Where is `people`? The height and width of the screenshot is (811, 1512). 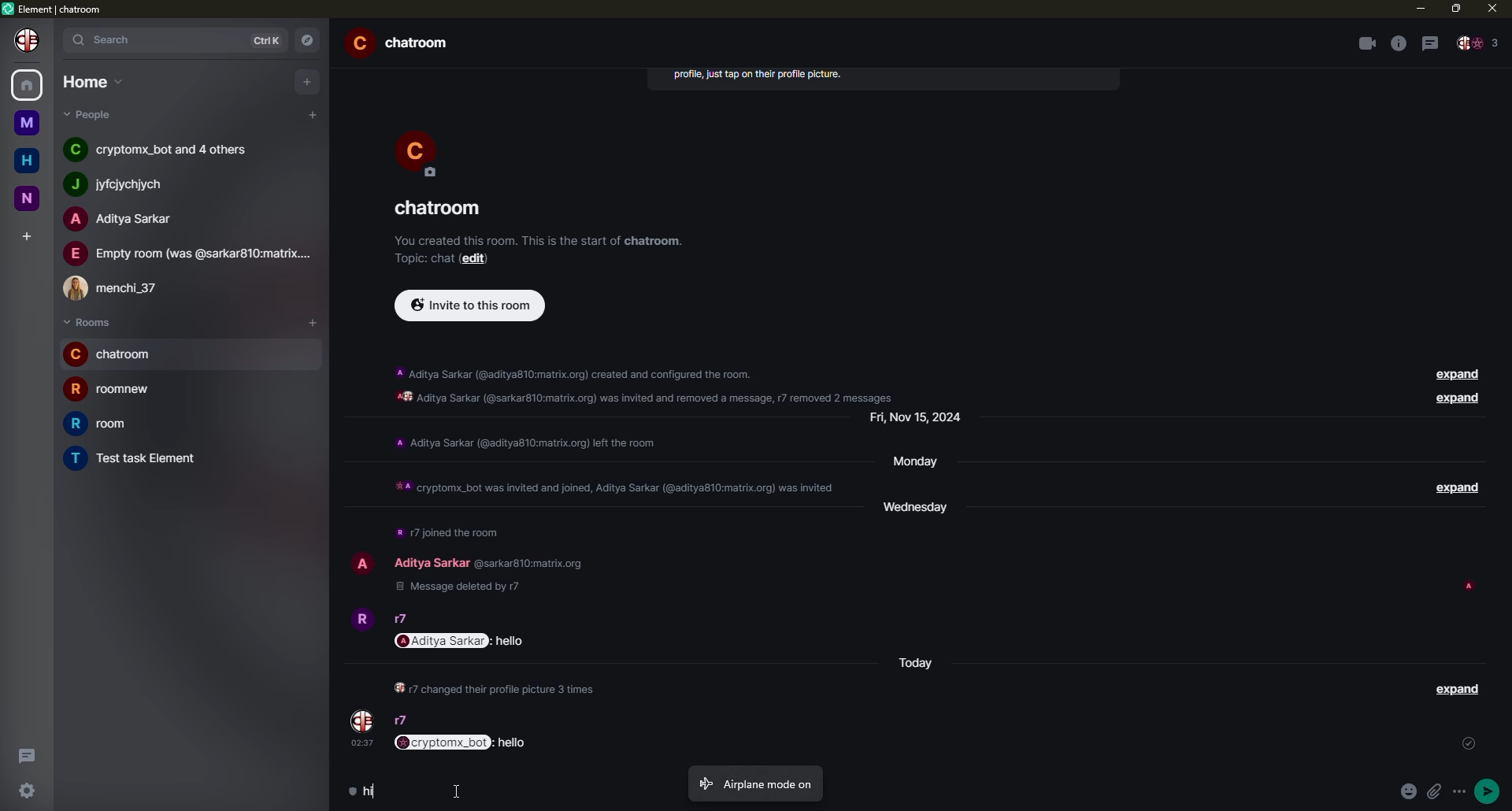 people is located at coordinates (403, 721).